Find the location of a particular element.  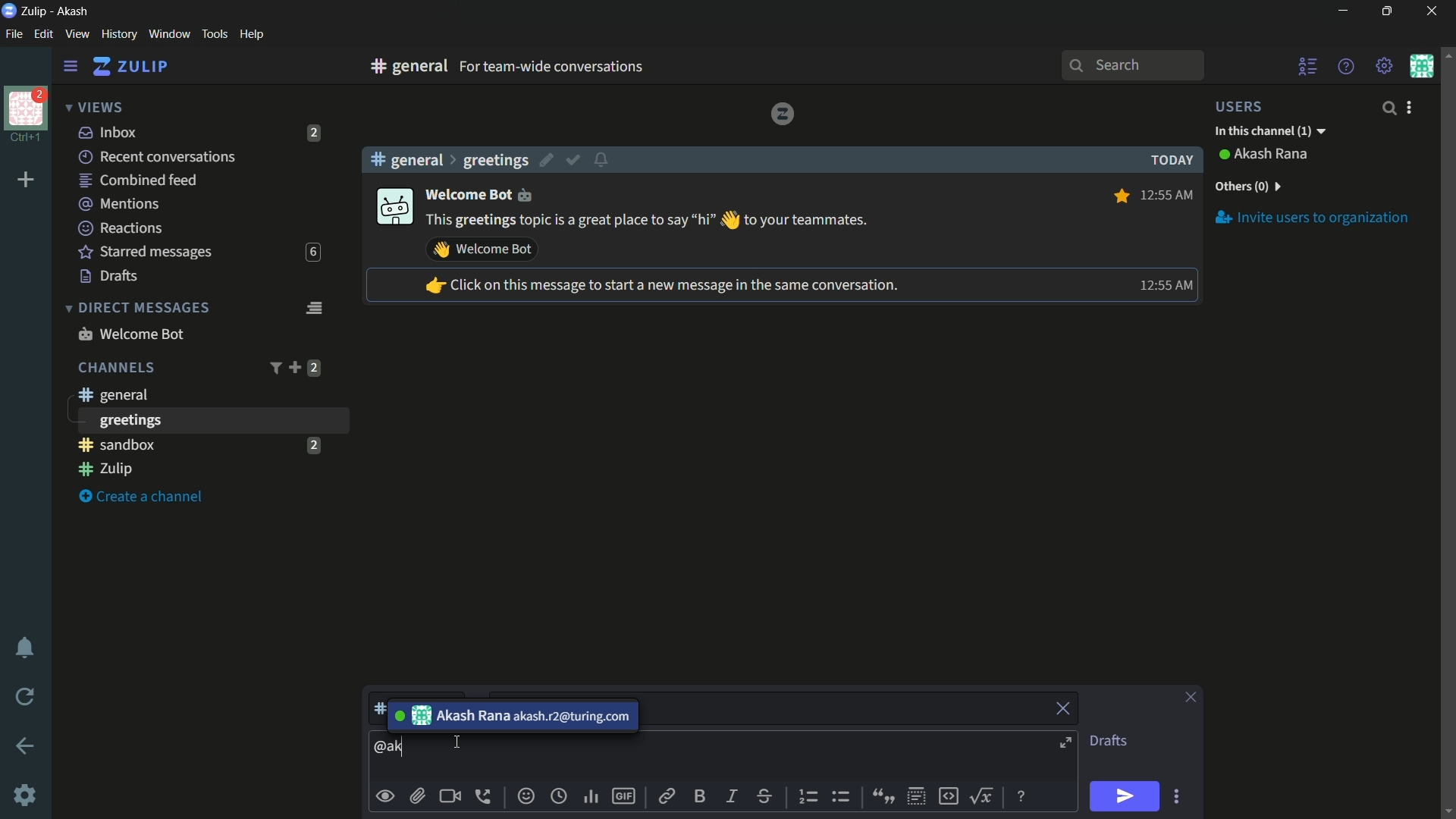

# general is located at coordinates (406, 159).